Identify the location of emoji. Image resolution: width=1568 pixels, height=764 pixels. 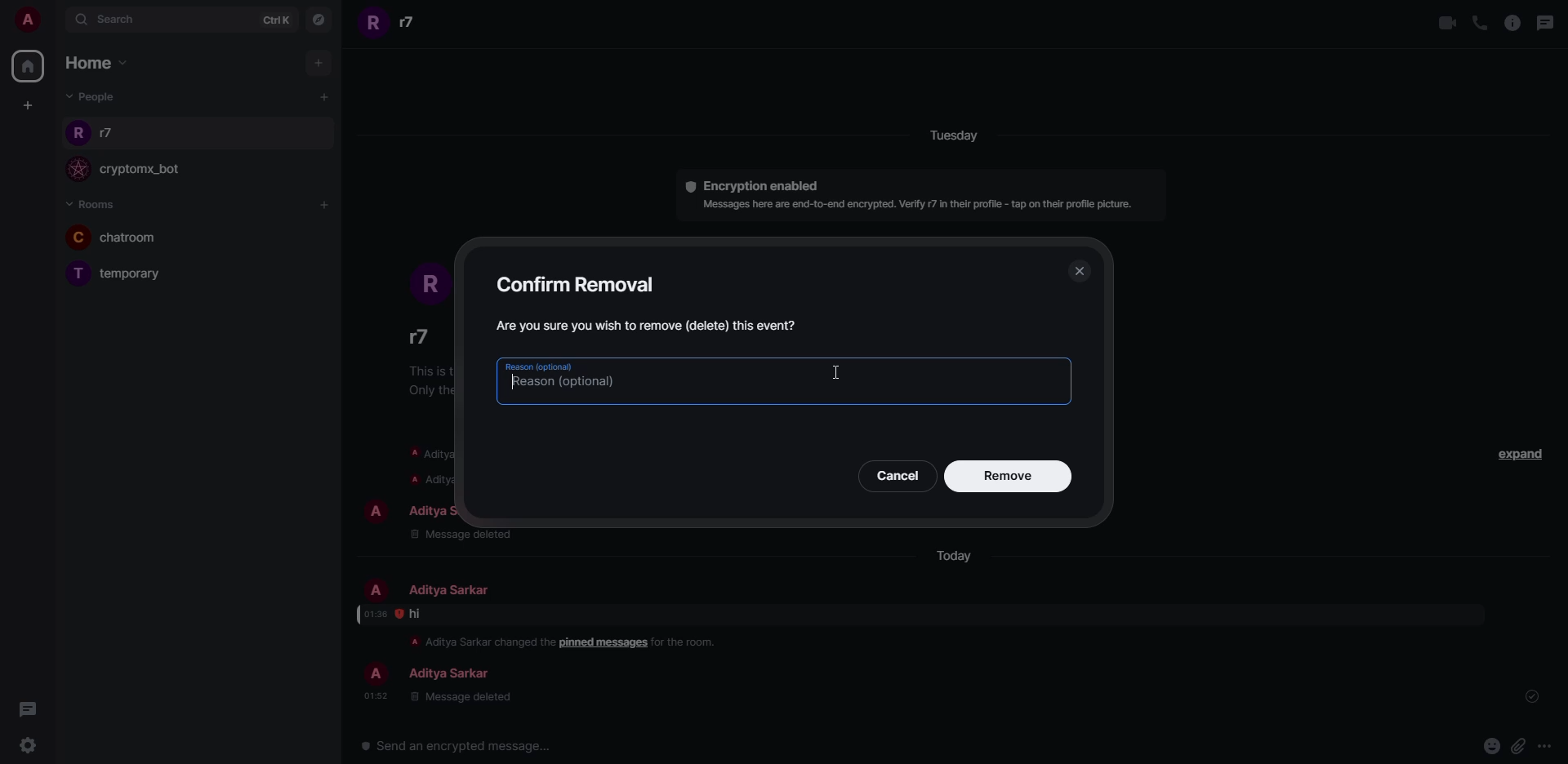
(1490, 744).